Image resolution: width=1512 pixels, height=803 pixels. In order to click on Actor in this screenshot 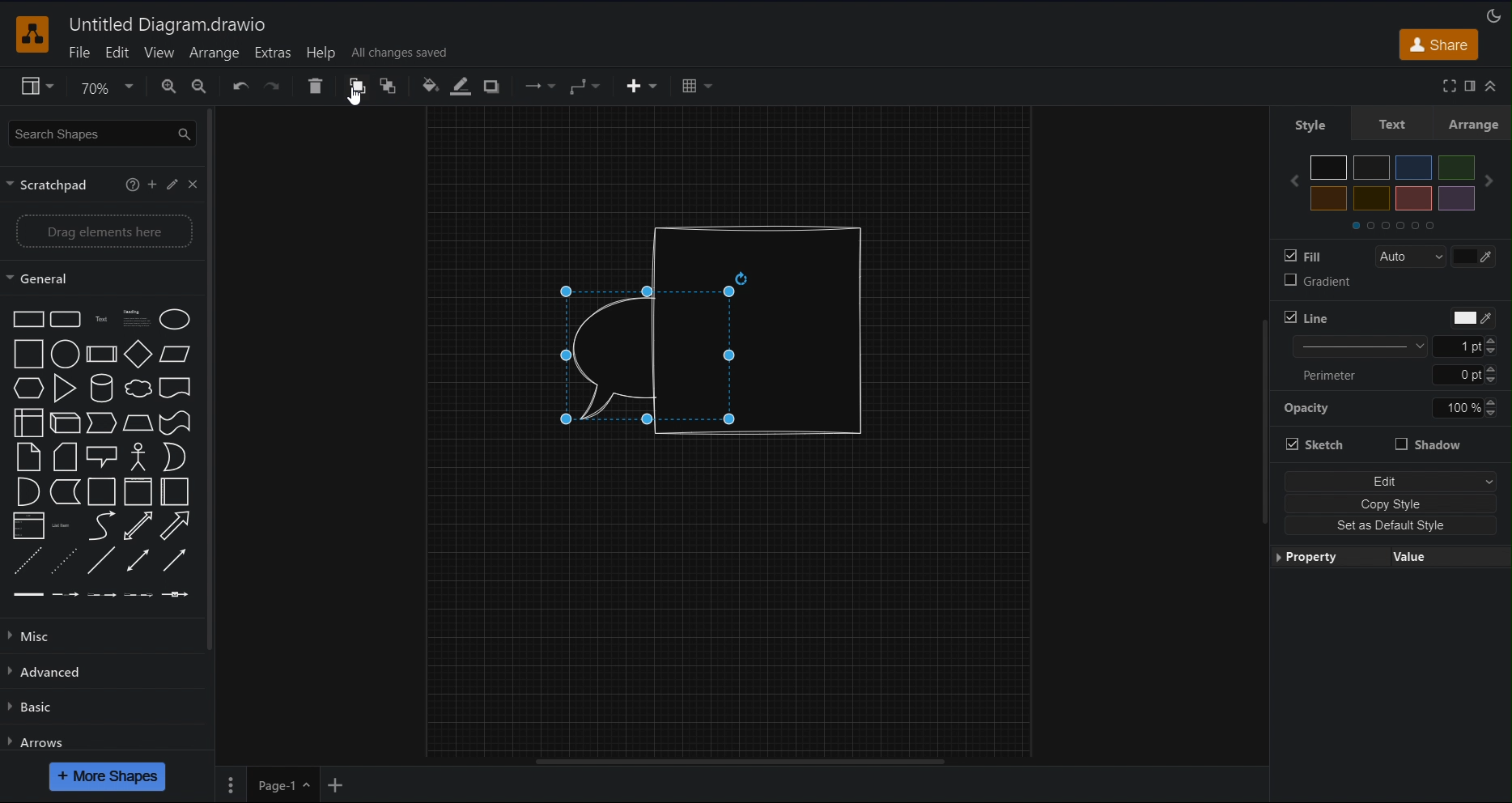, I will do `click(138, 457)`.